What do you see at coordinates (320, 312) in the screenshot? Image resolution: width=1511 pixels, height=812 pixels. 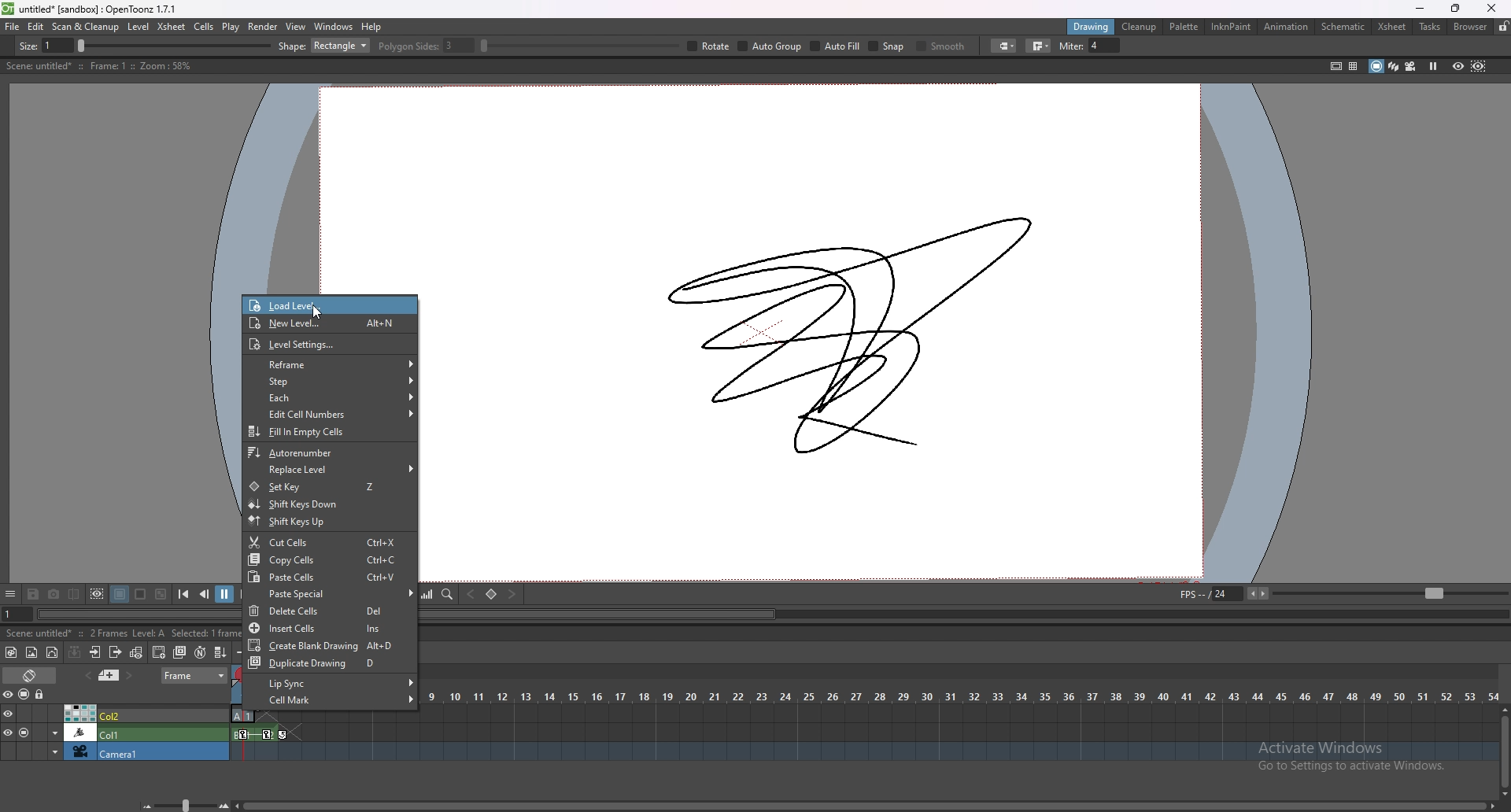 I see `cursor` at bounding box center [320, 312].